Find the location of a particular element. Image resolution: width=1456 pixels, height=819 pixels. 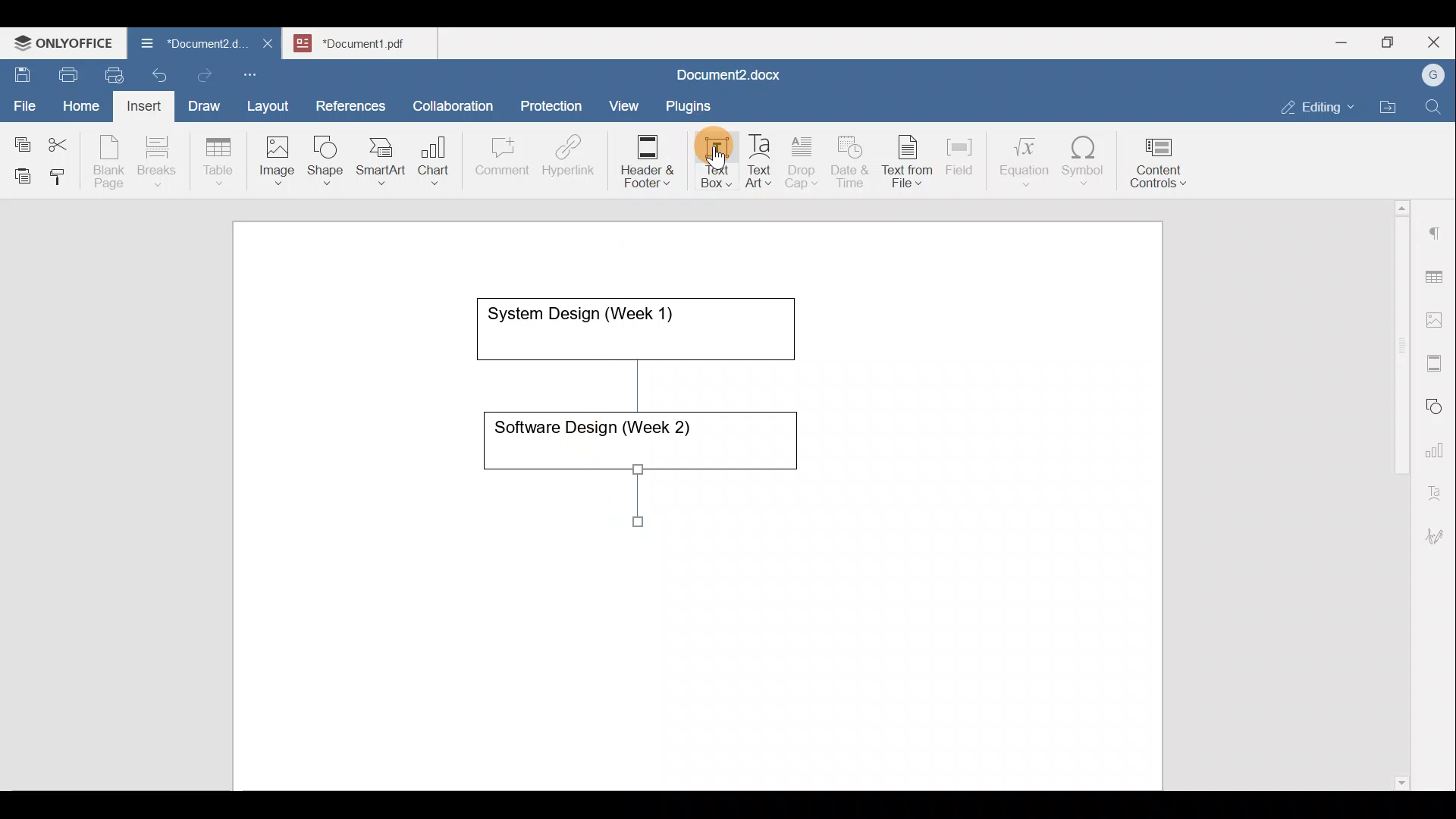

SmartArt is located at coordinates (378, 158).